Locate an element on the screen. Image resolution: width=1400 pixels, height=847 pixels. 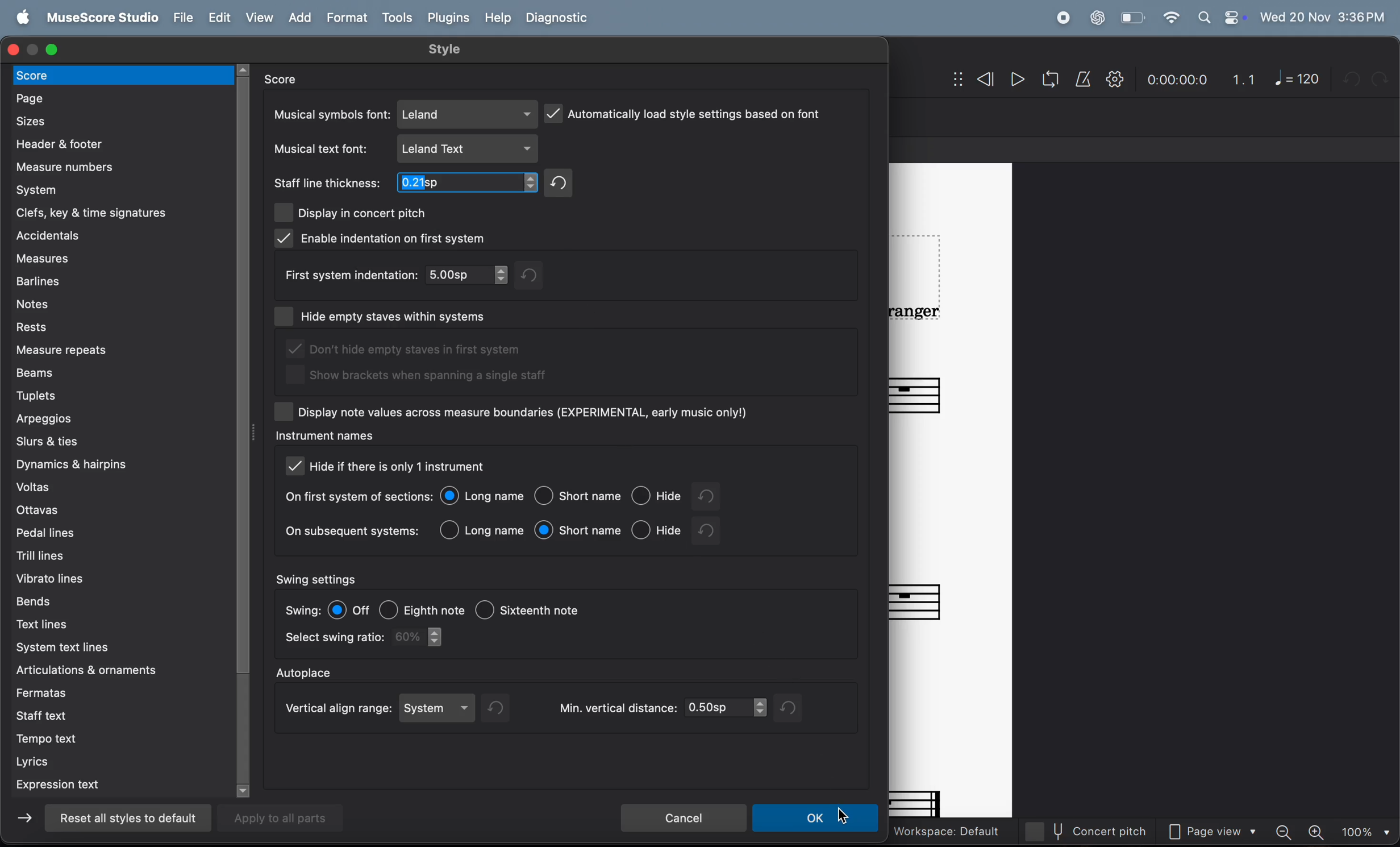
0,11 tp is located at coordinates (470, 184).